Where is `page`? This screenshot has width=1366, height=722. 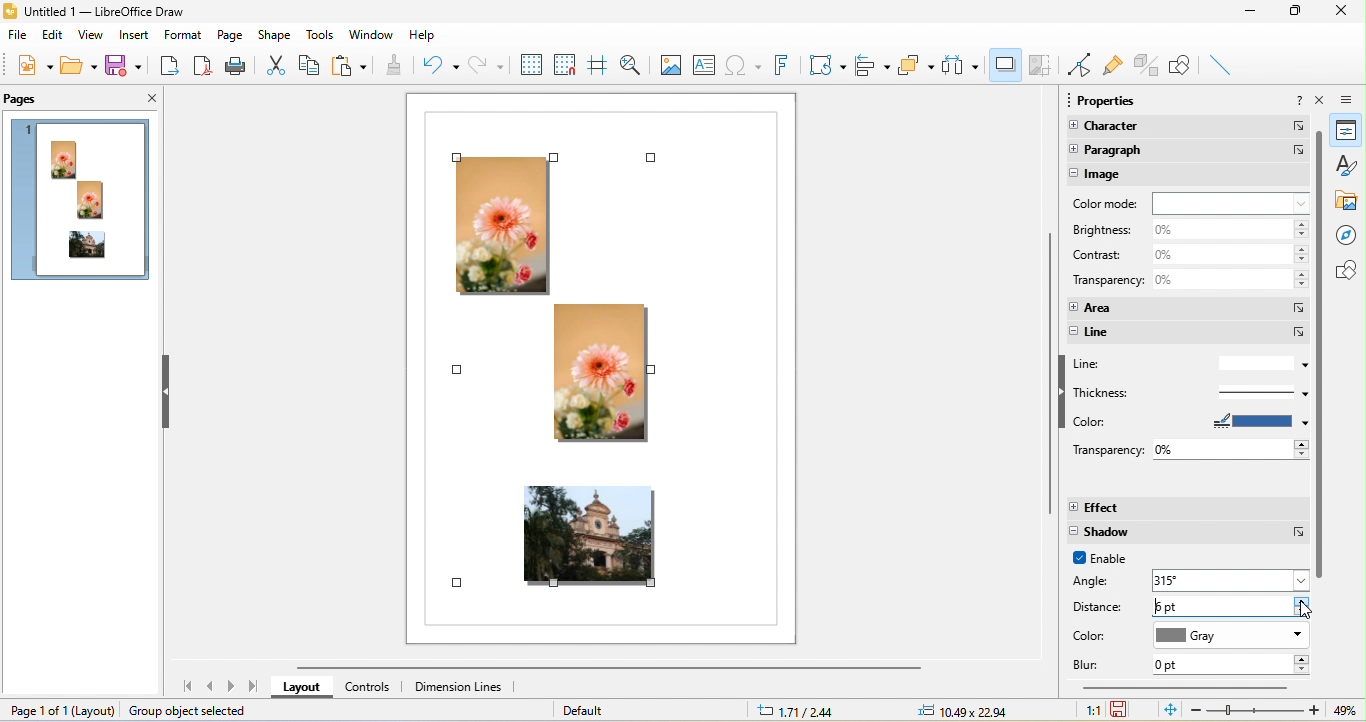
page is located at coordinates (228, 35).